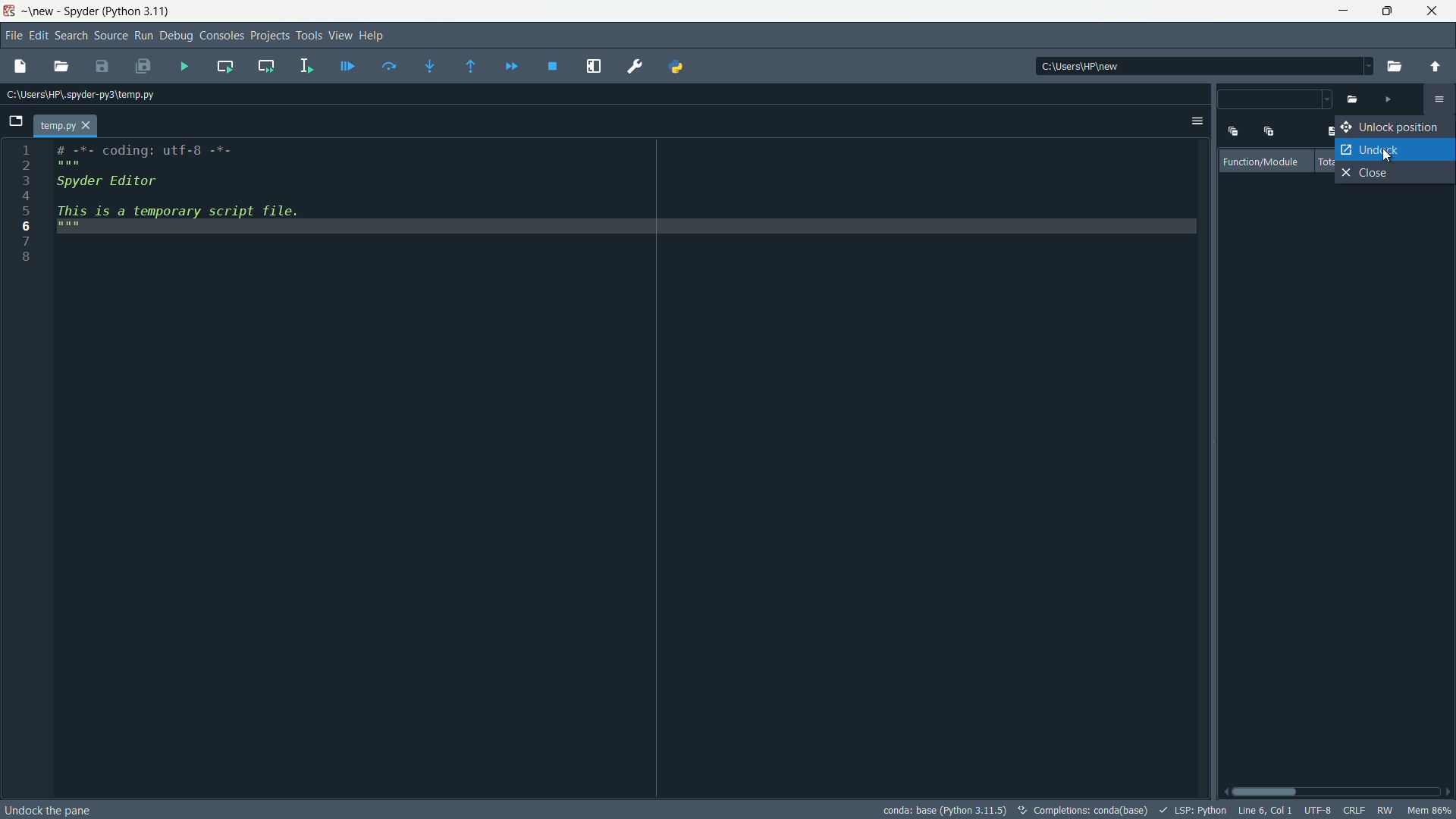  Describe the element at coordinates (1391, 153) in the screenshot. I see `cursor` at that location.